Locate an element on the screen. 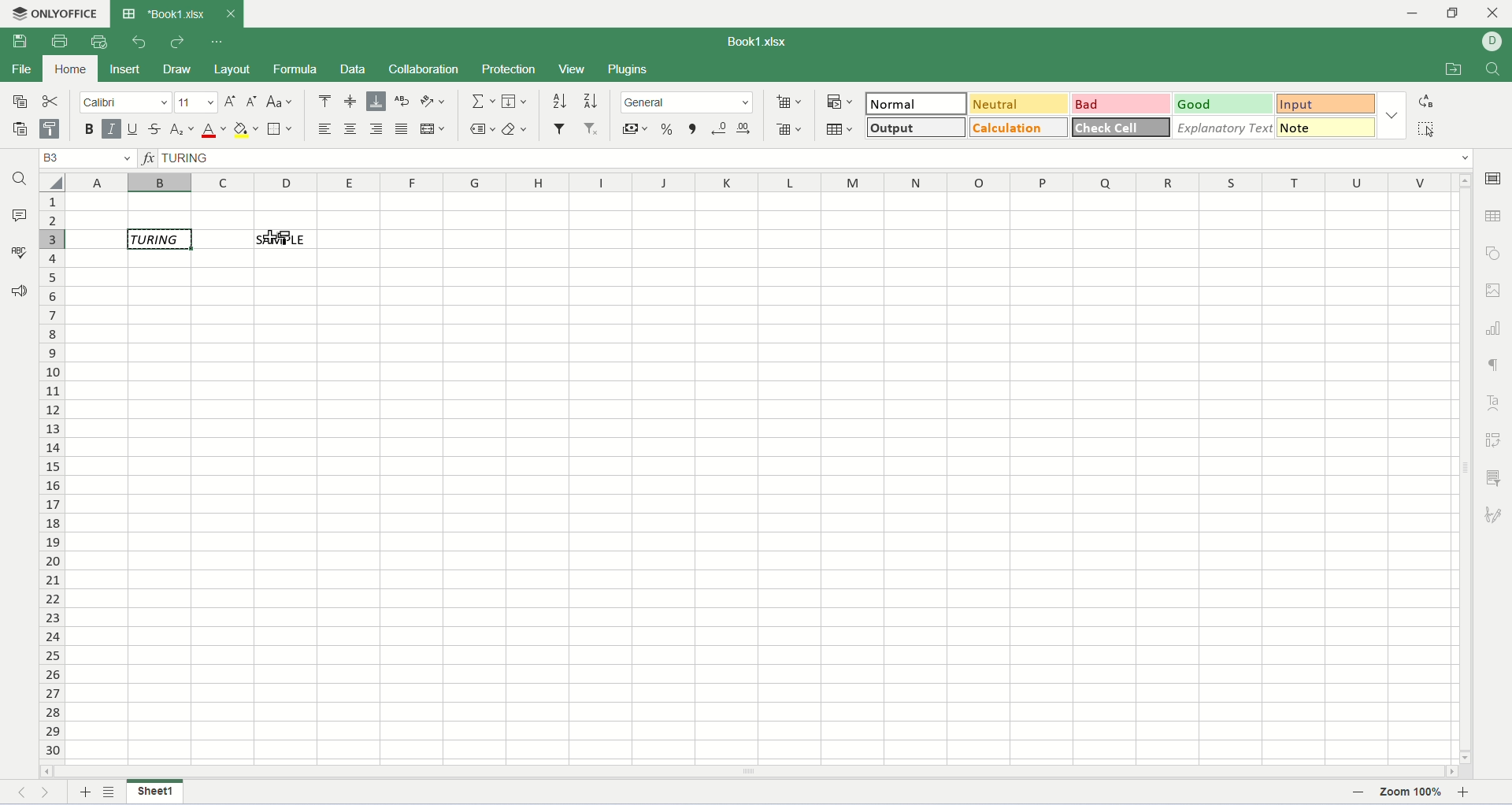 The height and width of the screenshot is (805, 1512). normal is located at coordinates (914, 102).